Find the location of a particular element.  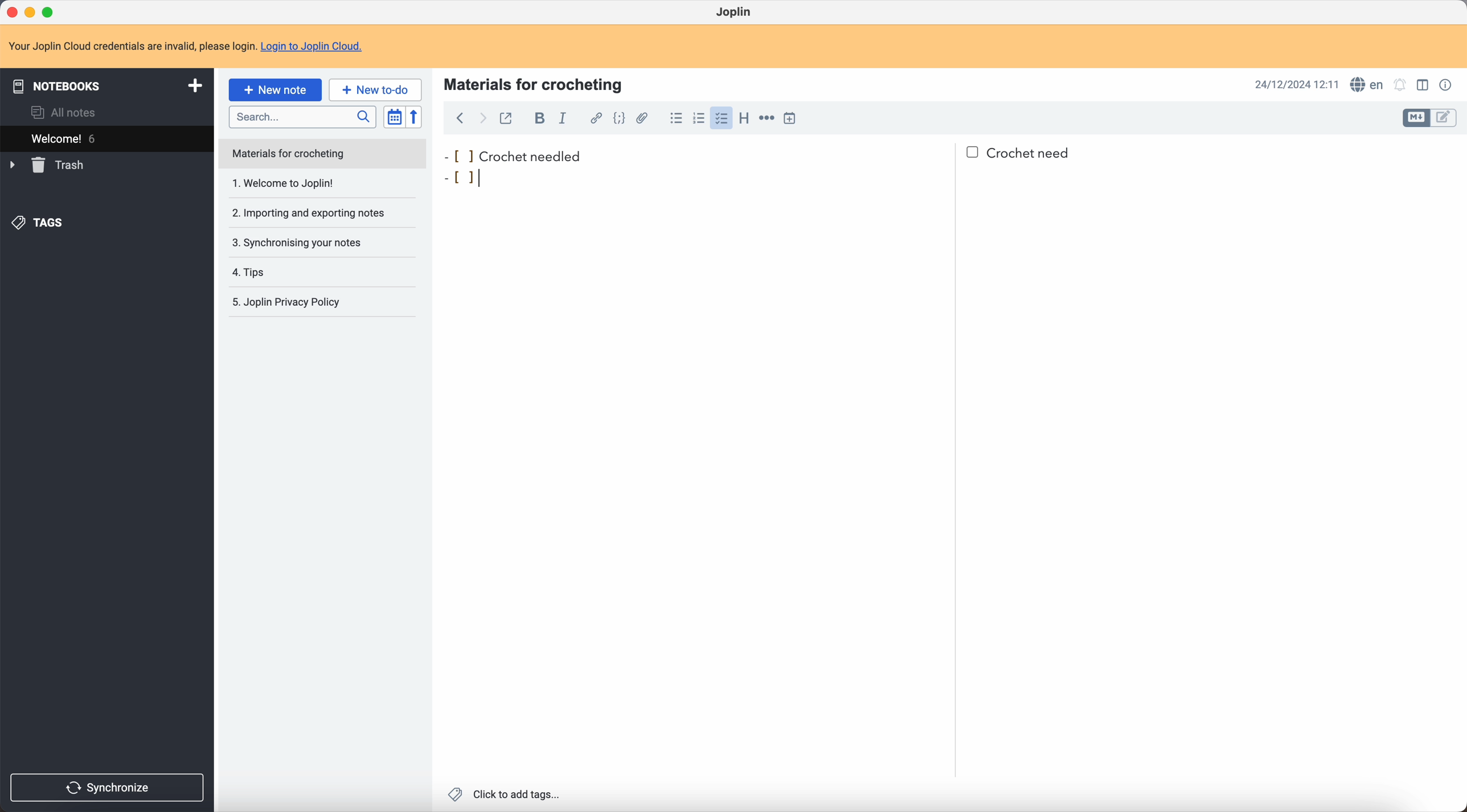

note is located at coordinates (323, 154).